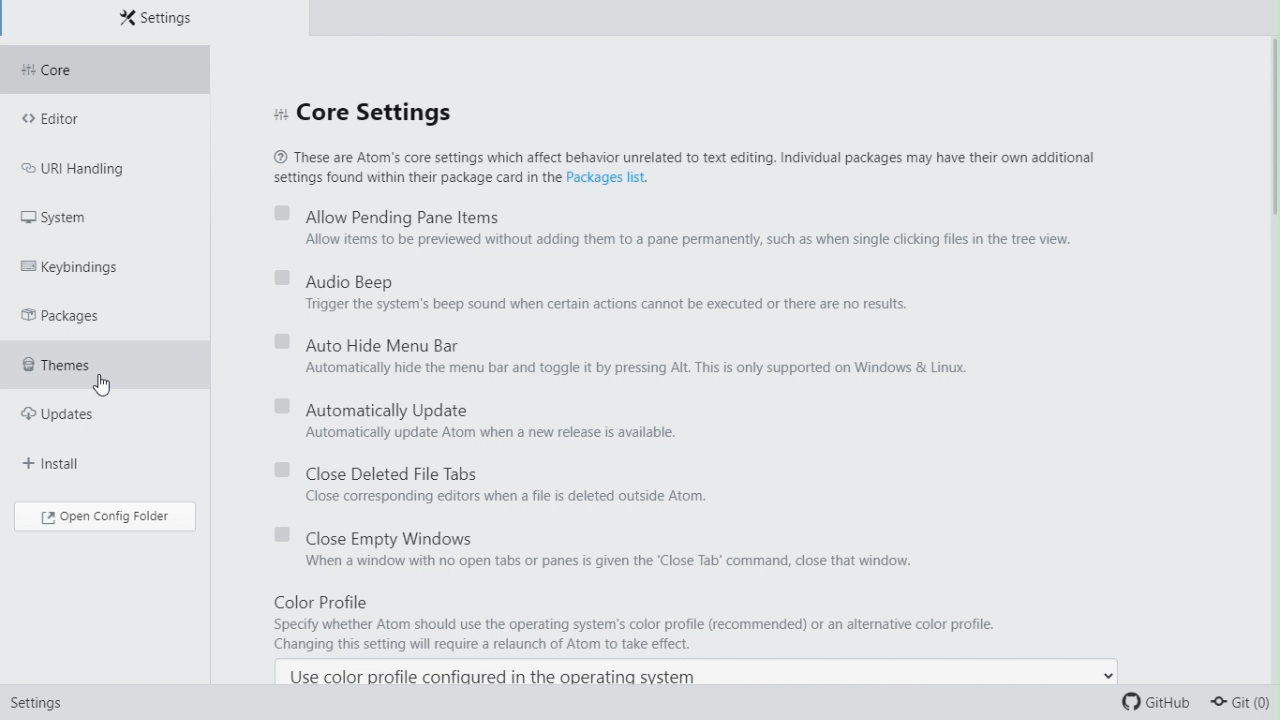  Describe the element at coordinates (496, 433) in the screenshot. I see `Automatically update Atom when a new release is available.` at that location.